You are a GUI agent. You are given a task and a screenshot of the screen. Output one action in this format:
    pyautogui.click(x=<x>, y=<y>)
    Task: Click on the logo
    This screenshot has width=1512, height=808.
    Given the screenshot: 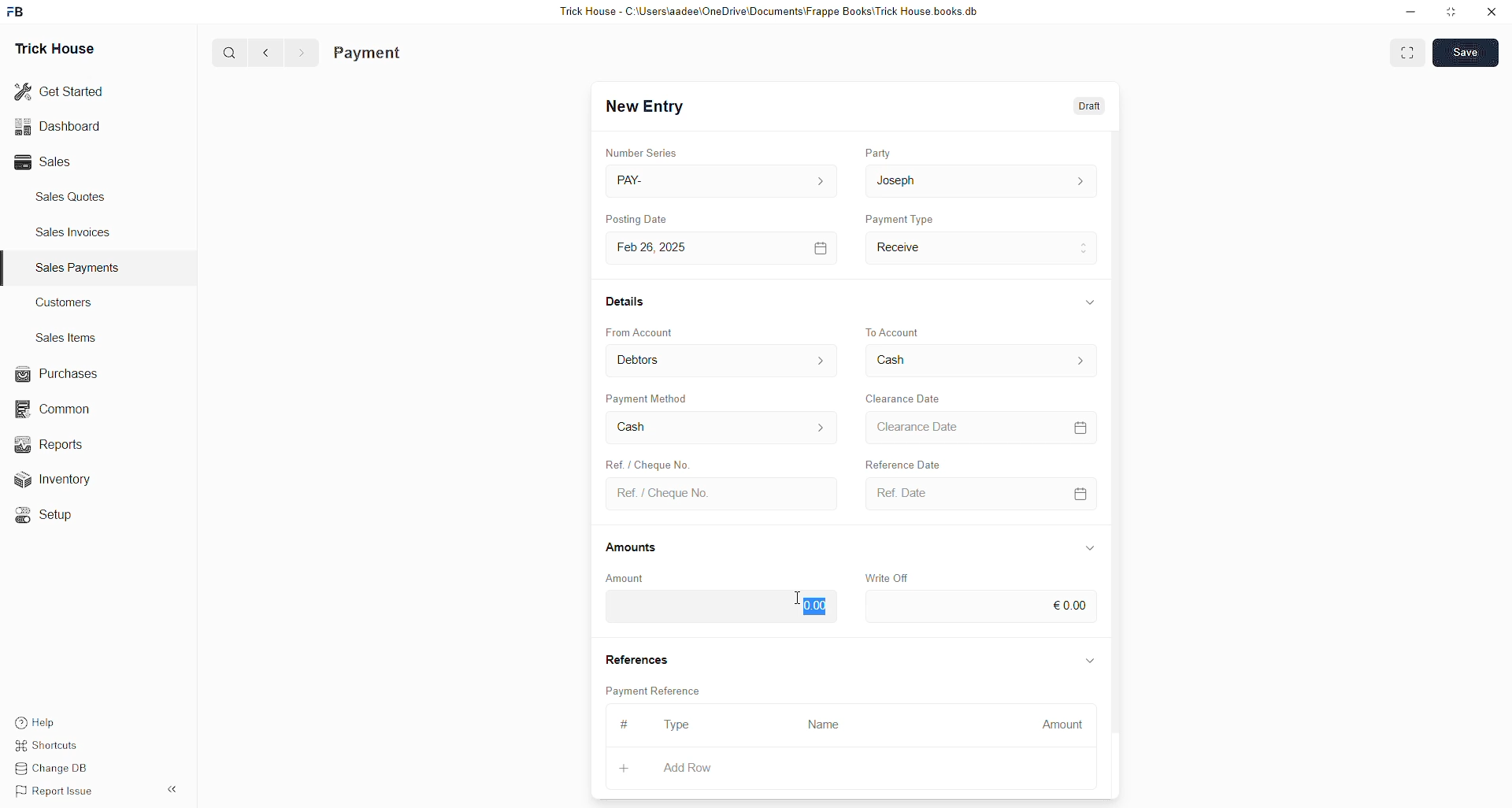 What is the action you would take?
    pyautogui.click(x=17, y=12)
    